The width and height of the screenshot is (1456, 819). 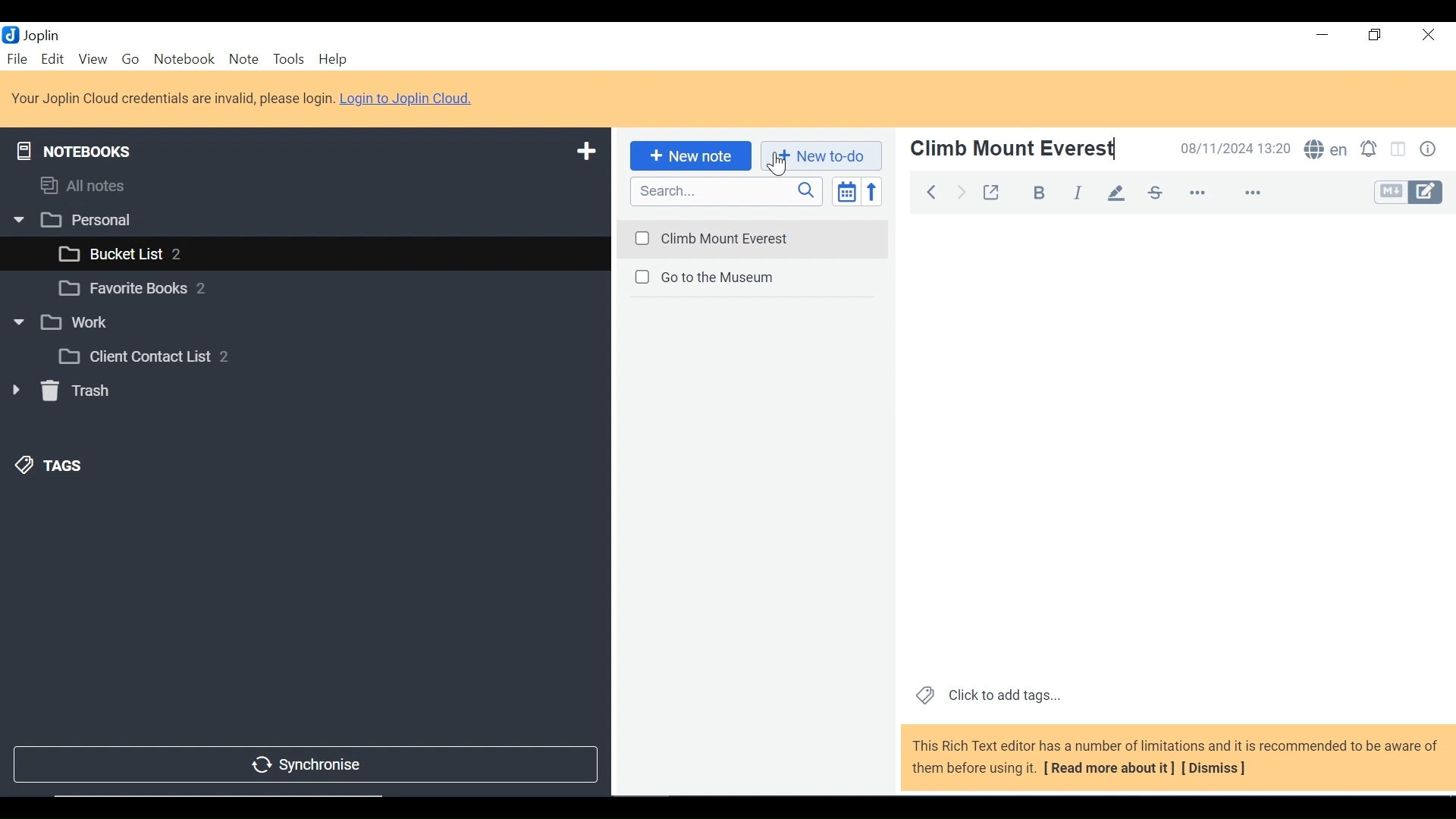 What do you see at coordinates (290, 60) in the screenshot?
I see `Tools` at bounding box center [290, 60].